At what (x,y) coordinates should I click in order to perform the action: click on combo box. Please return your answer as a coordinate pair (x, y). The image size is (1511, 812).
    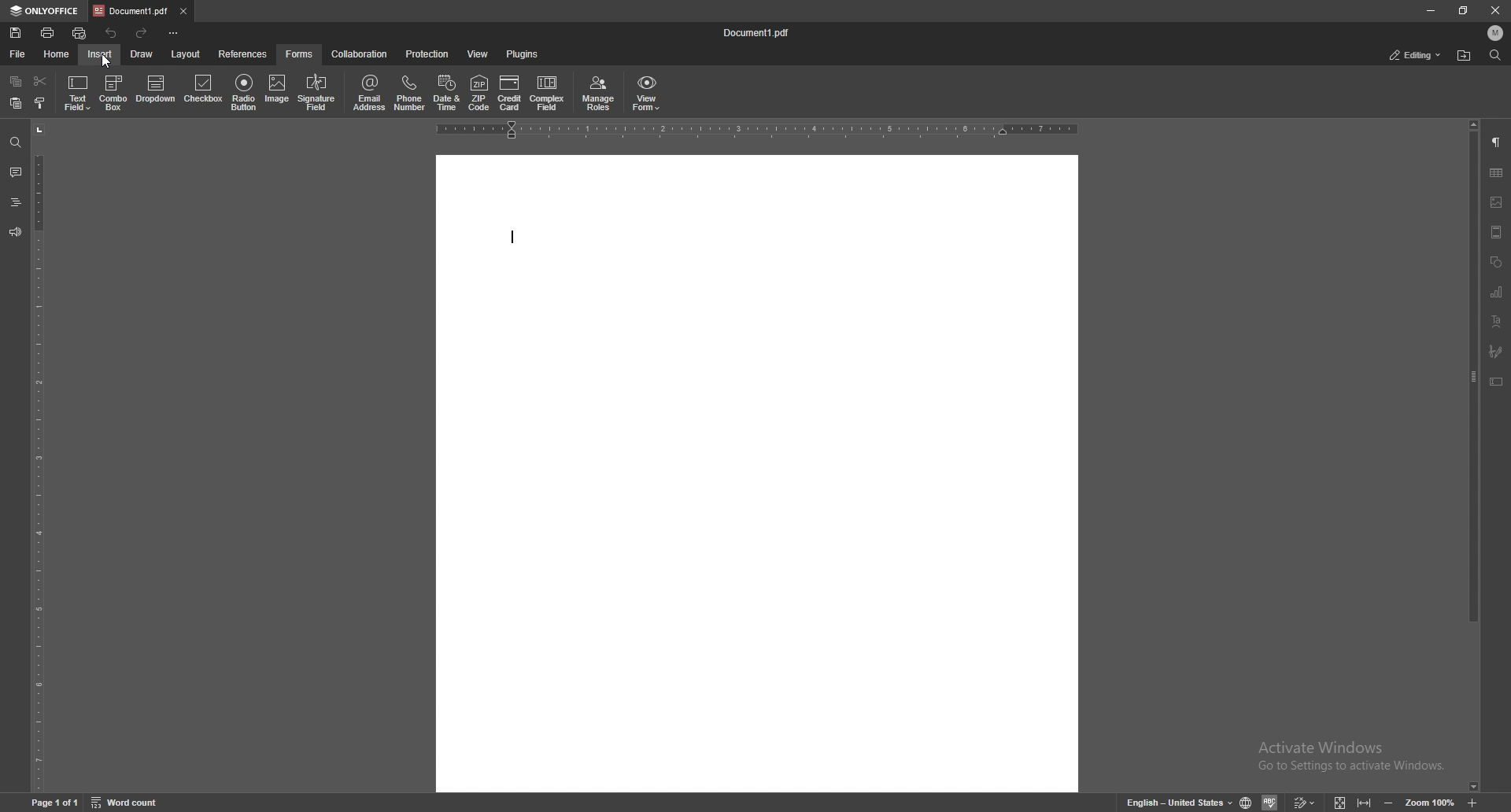
    Looking at the image, I should click on (114, 92).